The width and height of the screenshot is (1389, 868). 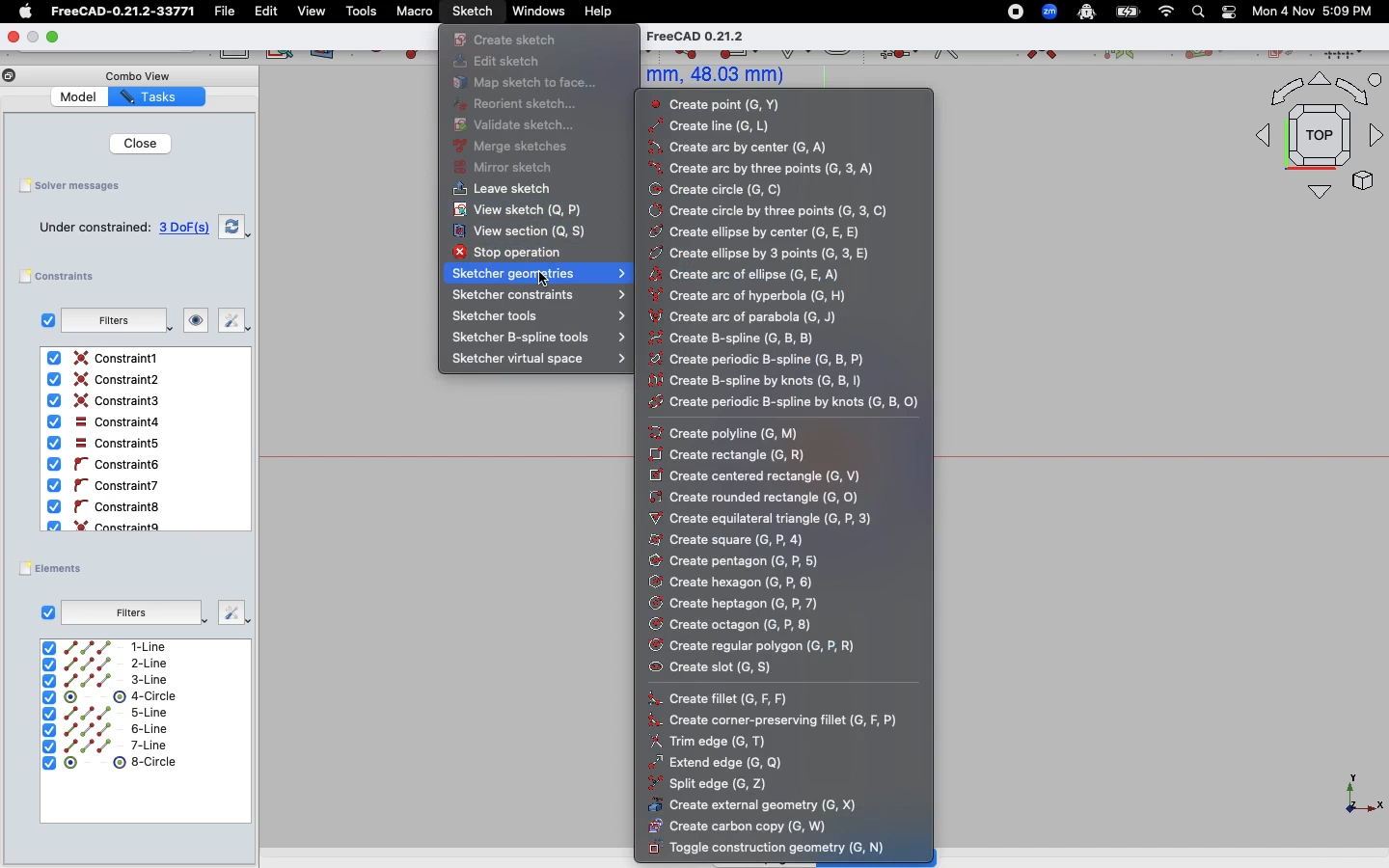 What do you see at coordinates (505, 39) in the screenshot?
I see `Create sketch` at bounding box center [505, 39].